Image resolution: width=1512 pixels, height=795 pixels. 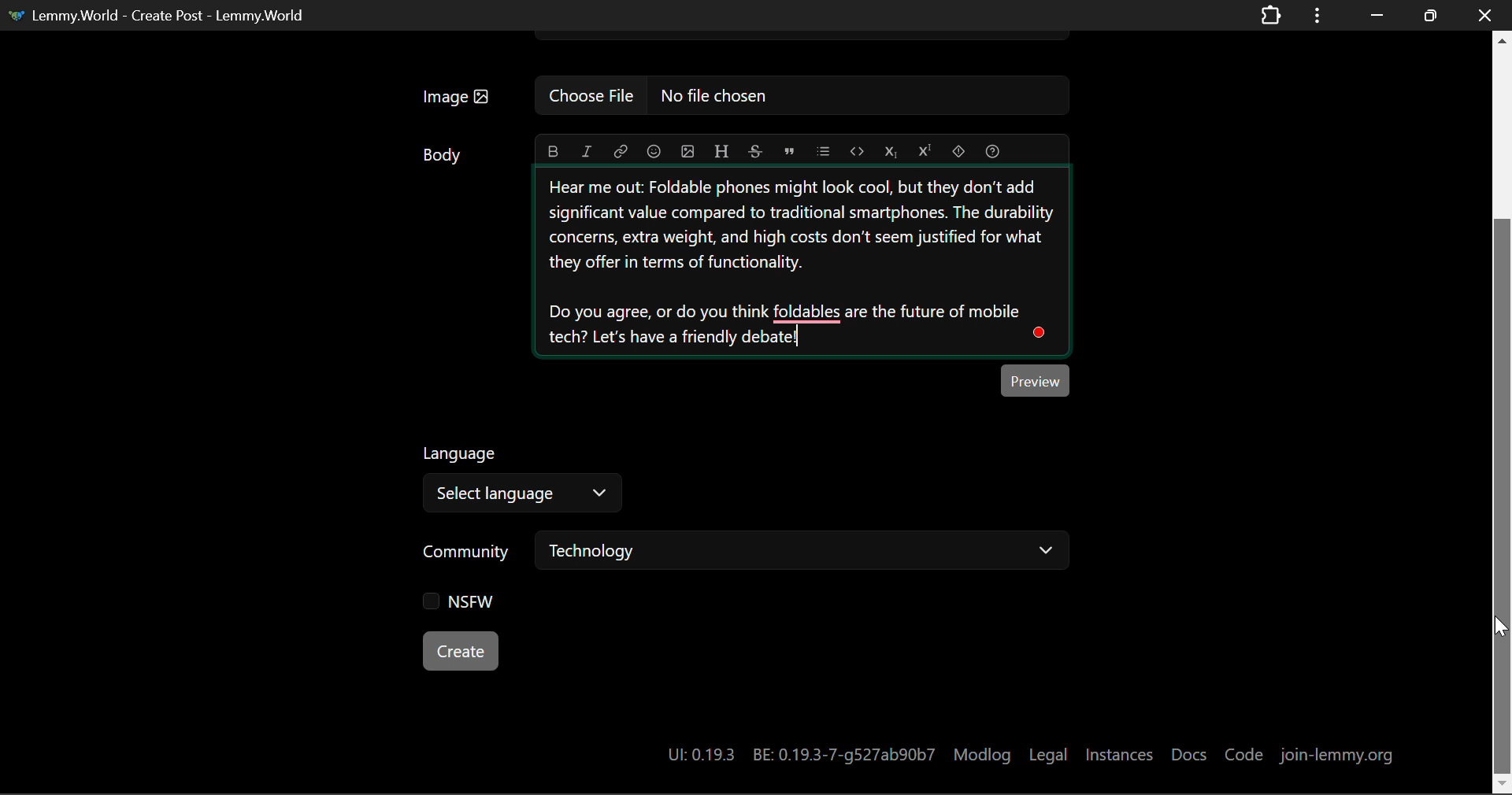 What do you see at coordinates (756, 151) in the screenshot?
I see `strikethrough` at bounding box center [756, 151].